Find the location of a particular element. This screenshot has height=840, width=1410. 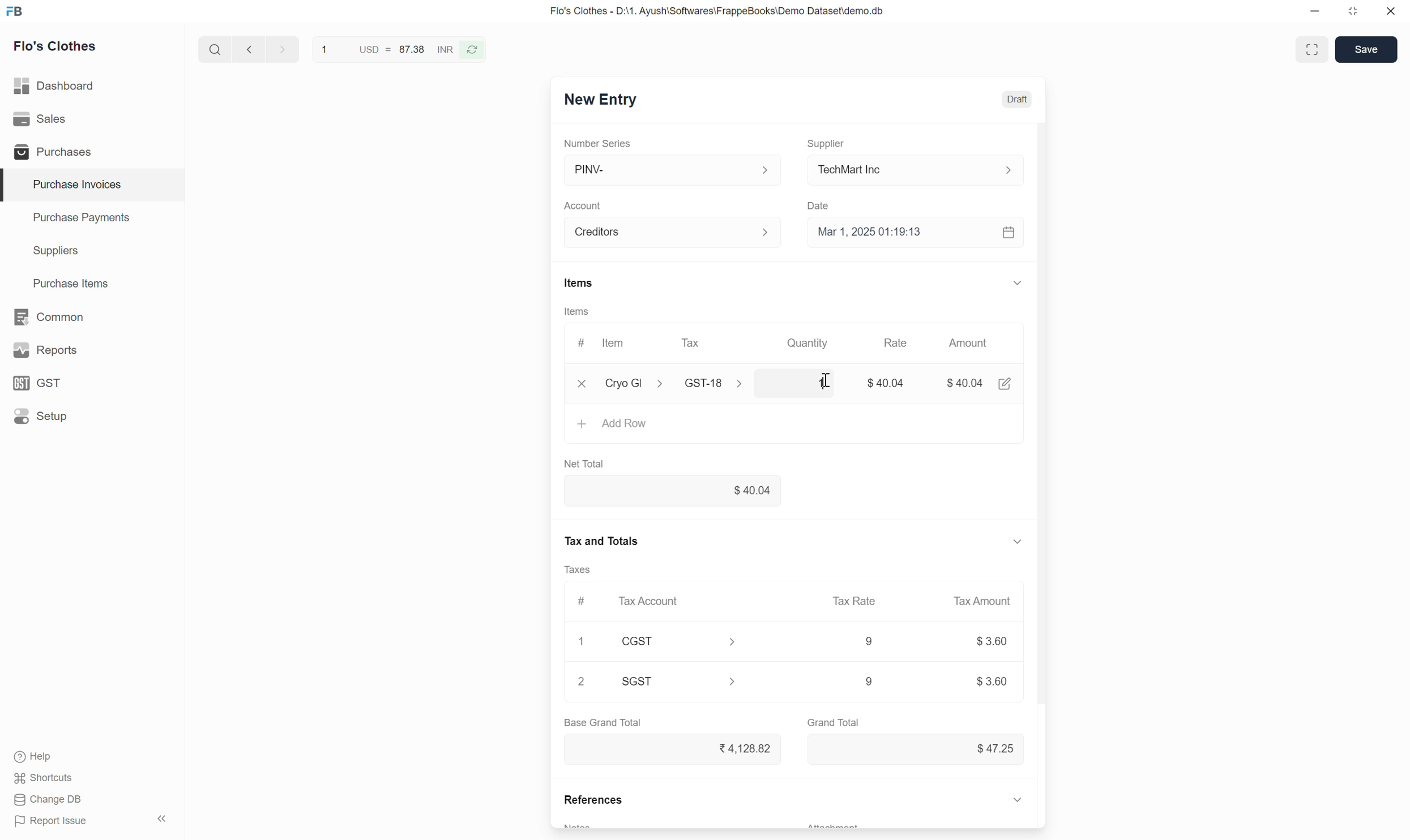

restore down is located at coordinates (1351, 14).